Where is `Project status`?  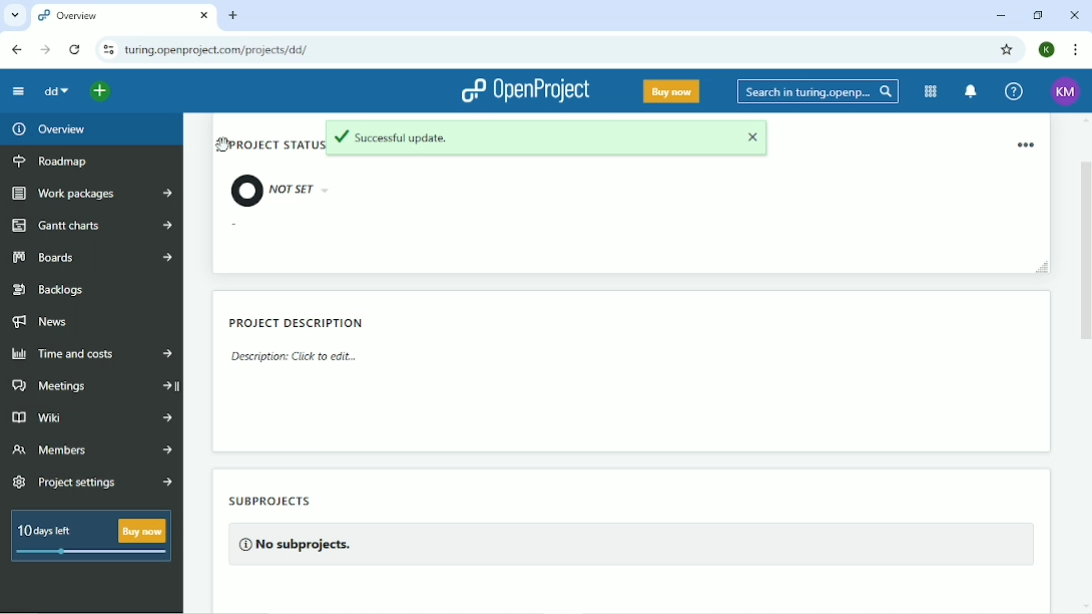 Project status is located at coordinates (266, 168).